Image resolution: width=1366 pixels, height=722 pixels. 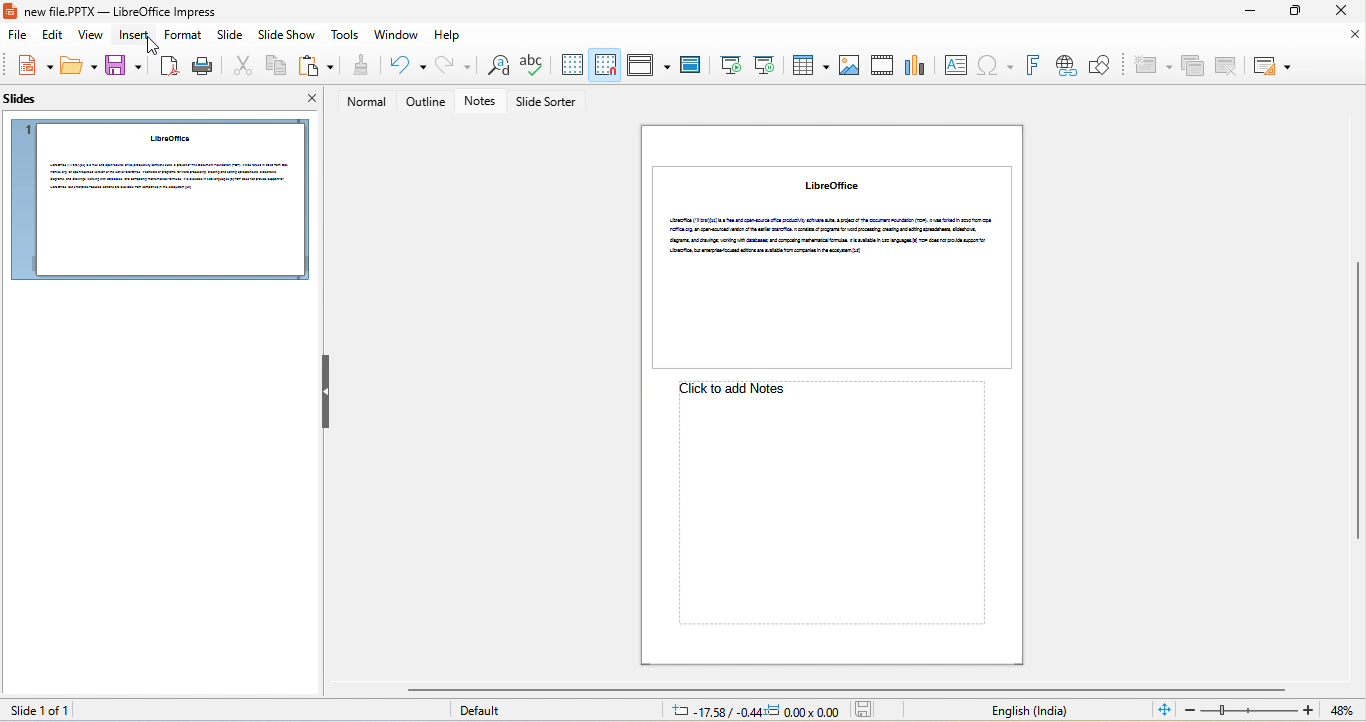 I want to click on dimension: 0.00x0.00, so click(x=803, y=711).